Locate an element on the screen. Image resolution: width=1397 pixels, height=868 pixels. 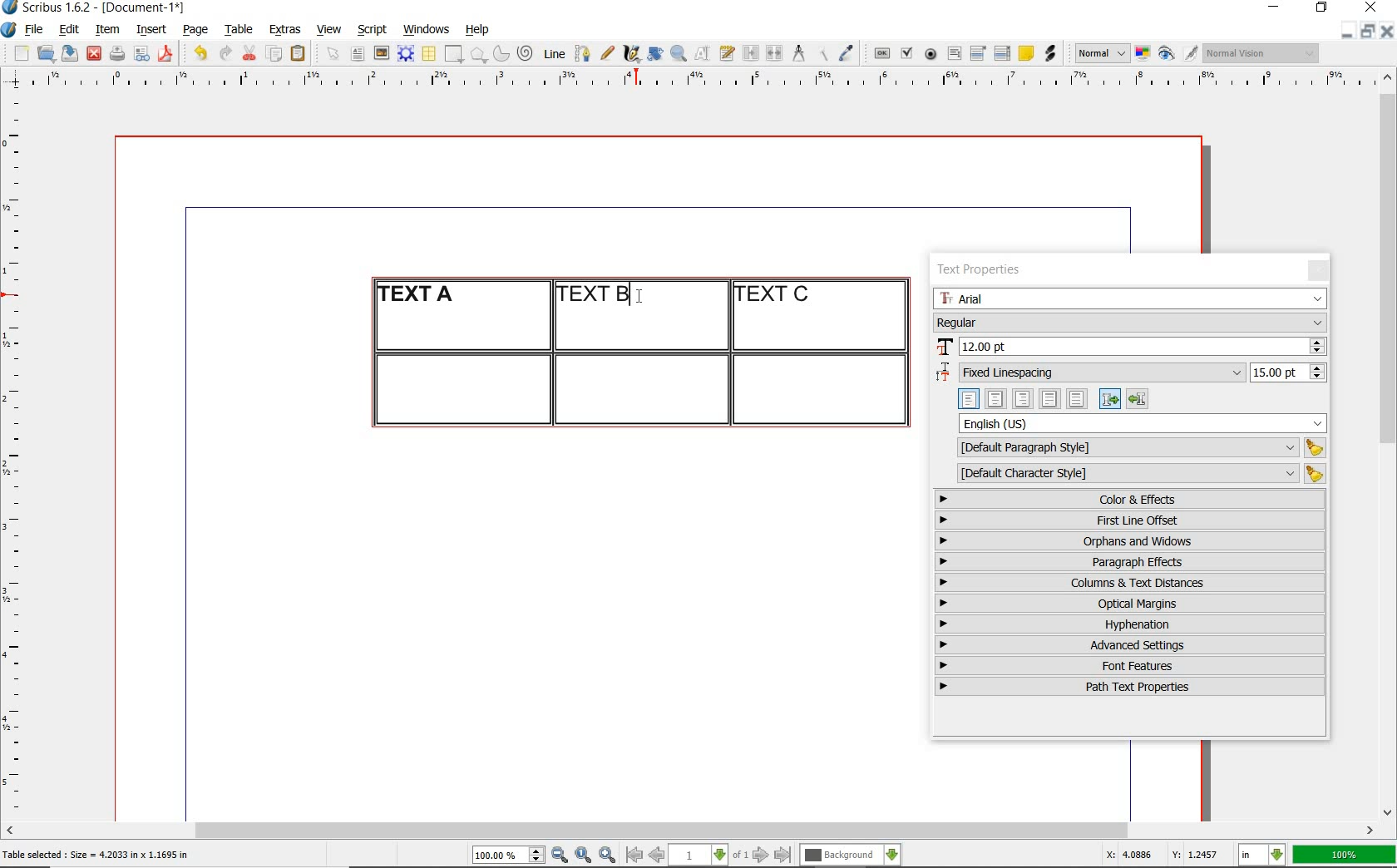
rotate item is located at coordinates (655, 53).